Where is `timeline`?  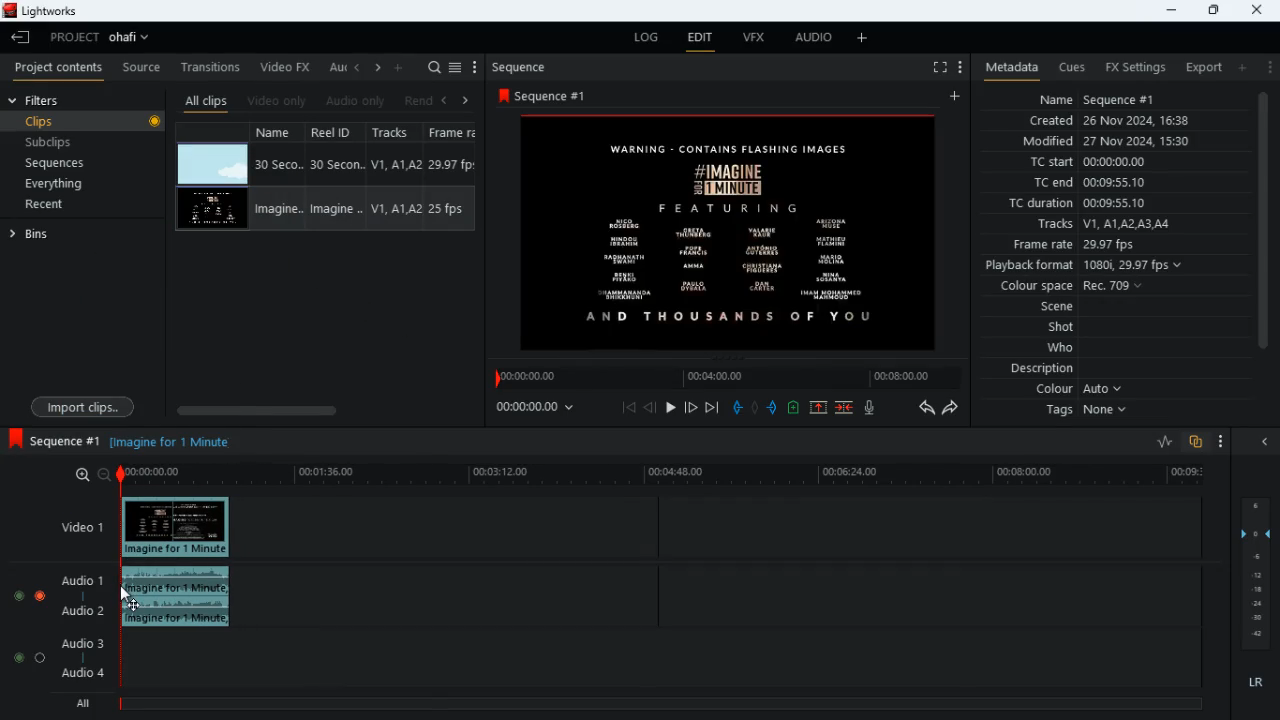
timeline is located at coordinates (724, 377).